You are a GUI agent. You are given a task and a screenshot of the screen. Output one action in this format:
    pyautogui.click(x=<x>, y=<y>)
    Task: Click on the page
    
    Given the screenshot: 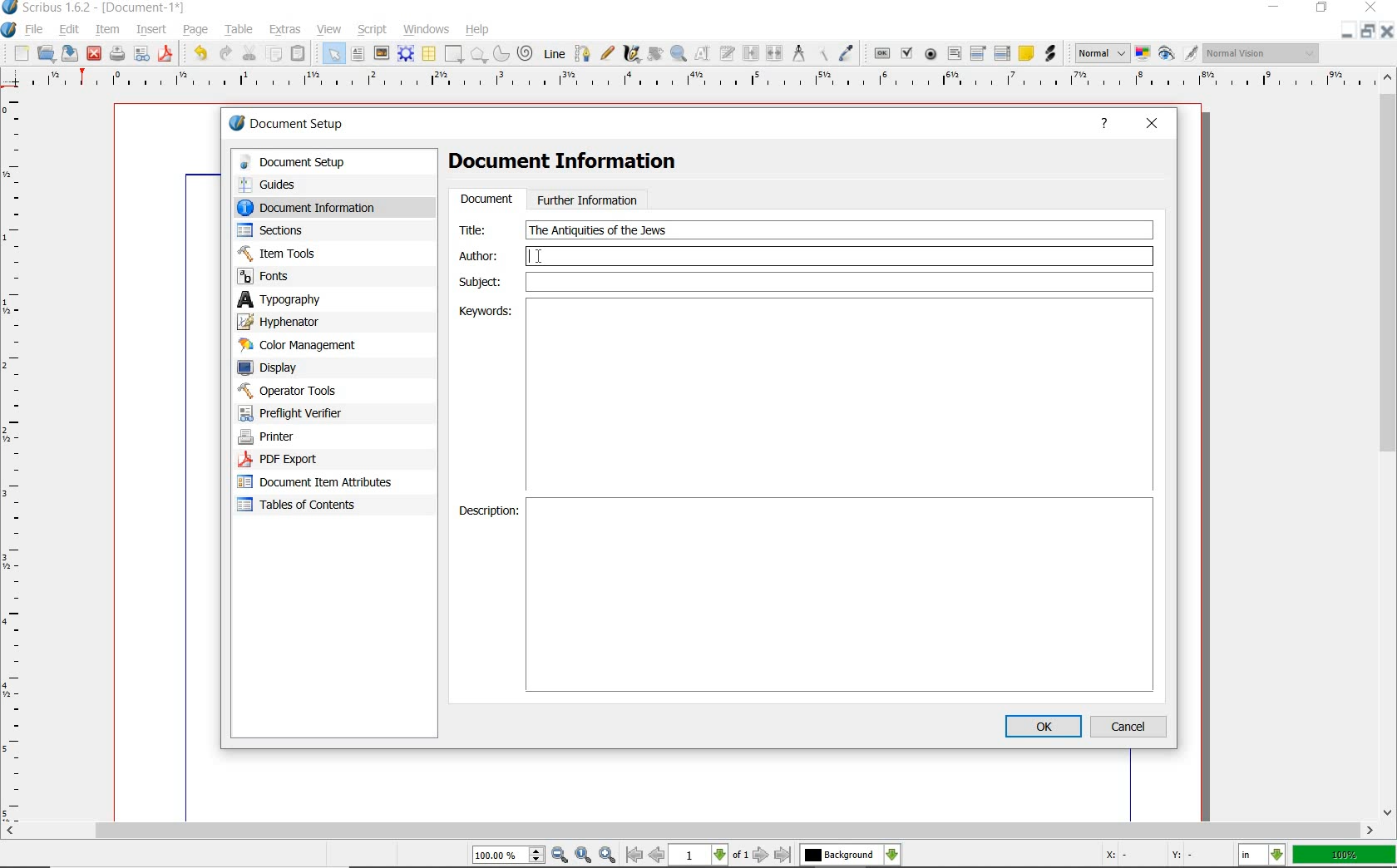 What is the action you would take?
    pyautogui.click(x=199, y=30)
    